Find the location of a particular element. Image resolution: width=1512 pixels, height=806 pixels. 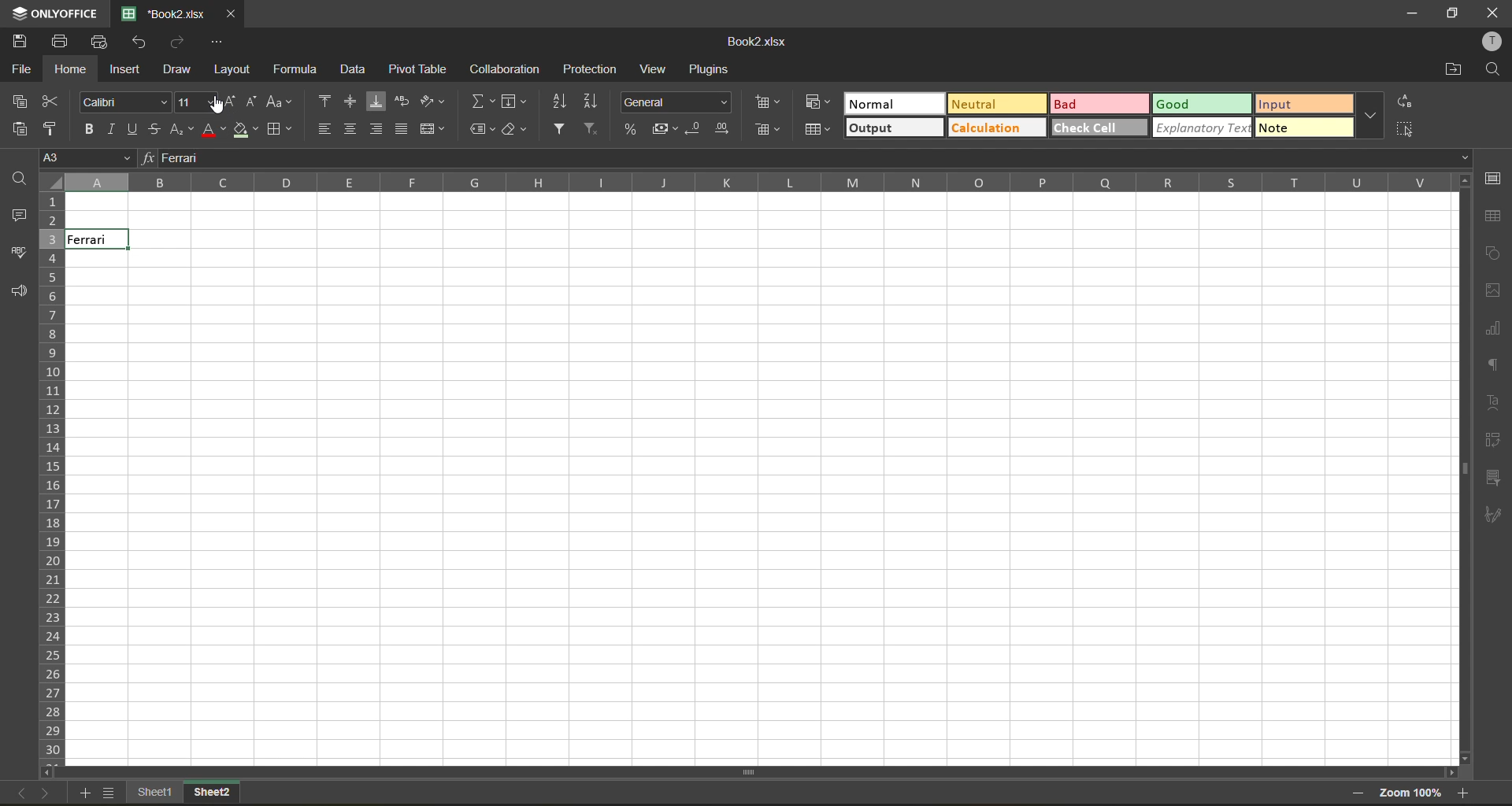

wrap text is located at coordinates (404, 101).